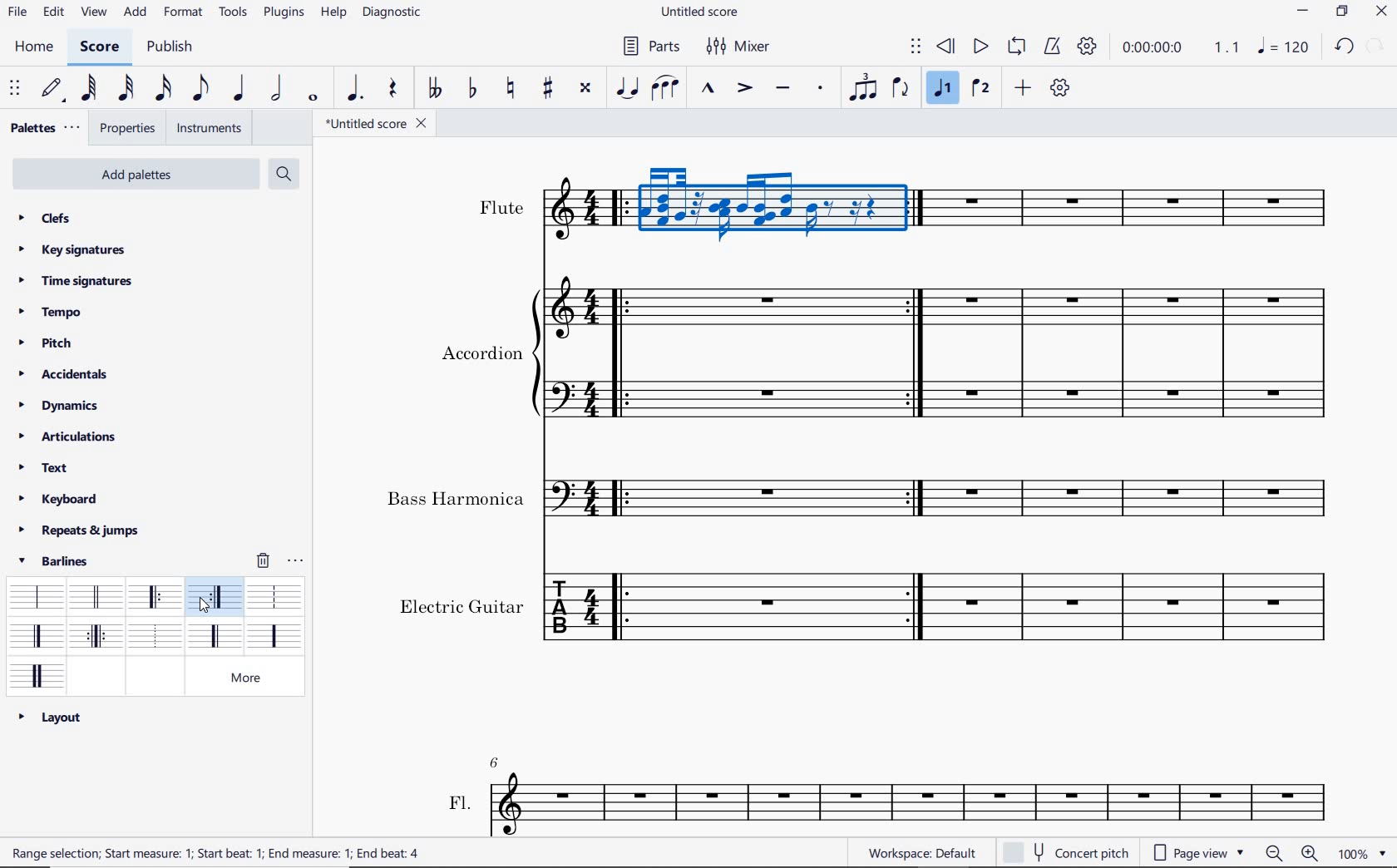 The width and height of the screenshot is (1397, 868). What do you see at coordinates (59, 560) in the screenshot?
I see `barlines` at bounding box center [59, 560].